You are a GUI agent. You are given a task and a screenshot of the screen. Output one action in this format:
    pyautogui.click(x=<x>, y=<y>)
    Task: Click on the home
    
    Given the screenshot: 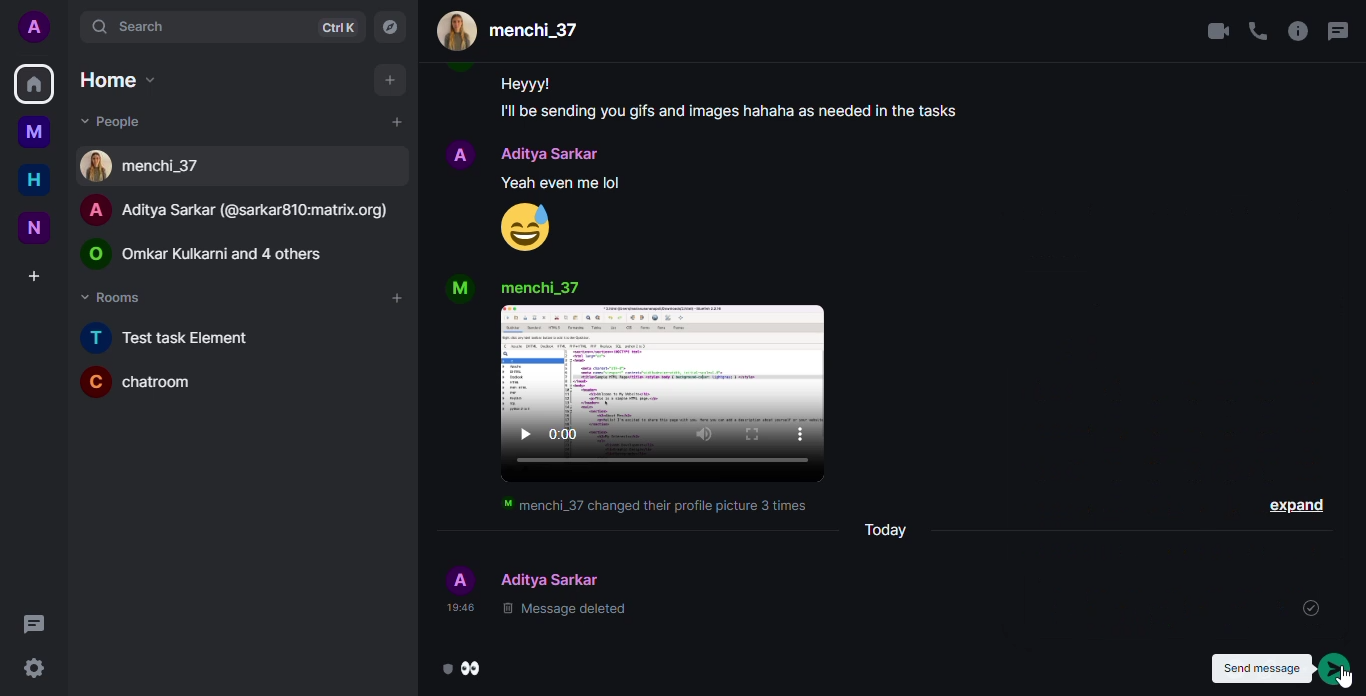 What is the action you would take?
    pyautogui.click(x=35, y=85)
    